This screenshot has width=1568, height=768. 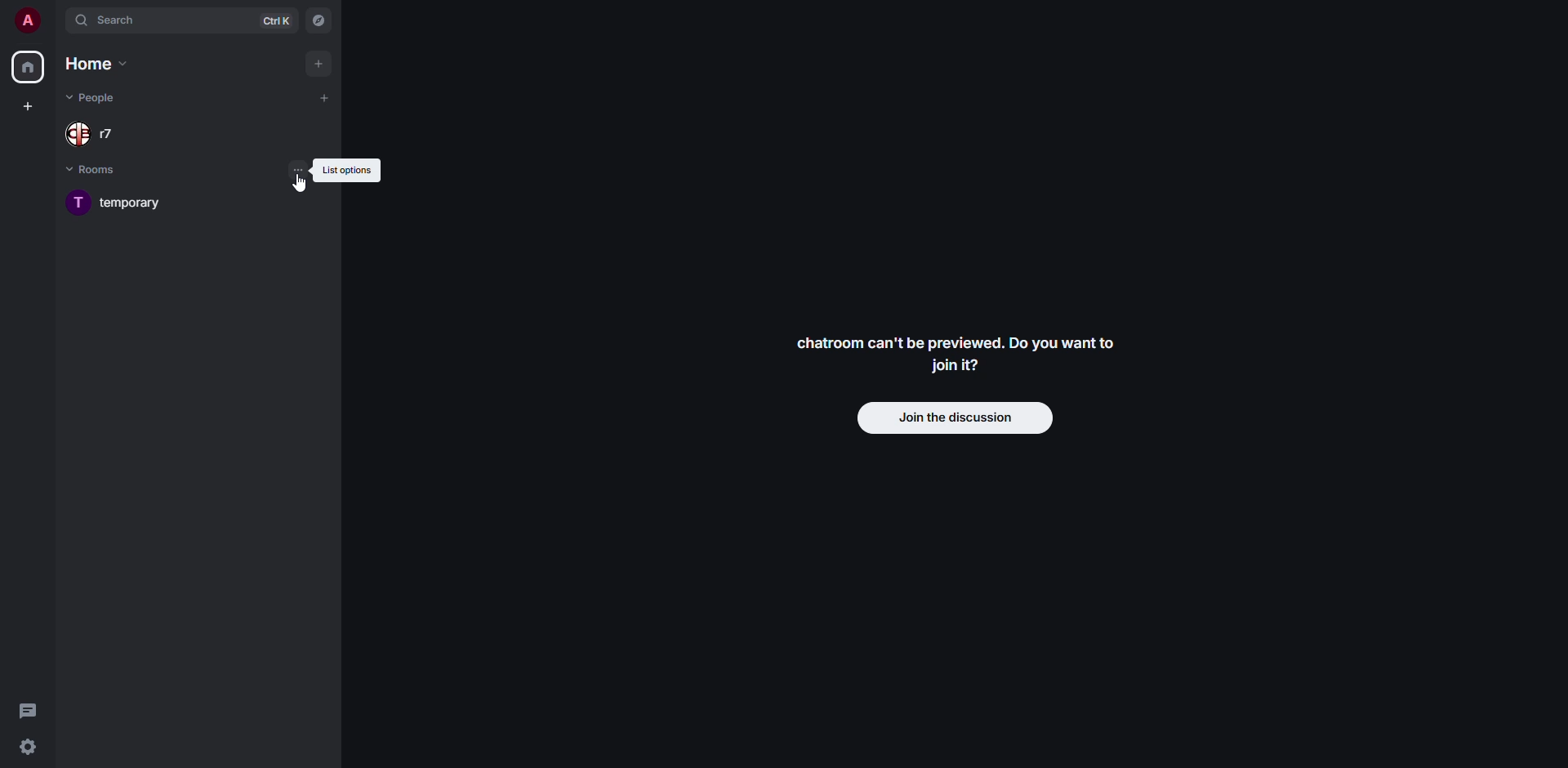 I want to click on quick settings, so click(x=30, y=746).